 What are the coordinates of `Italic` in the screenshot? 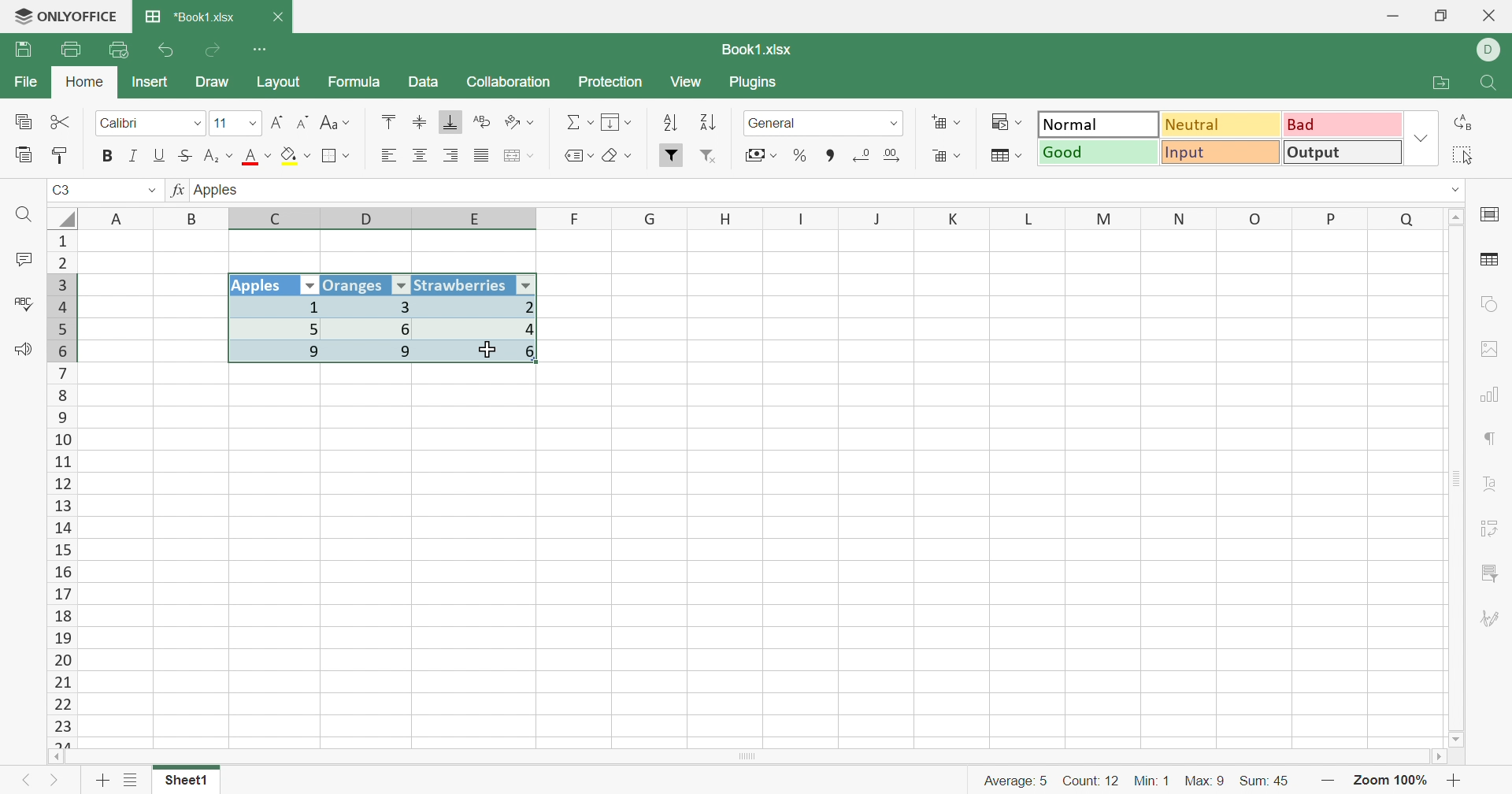 It's located at (132, 156).